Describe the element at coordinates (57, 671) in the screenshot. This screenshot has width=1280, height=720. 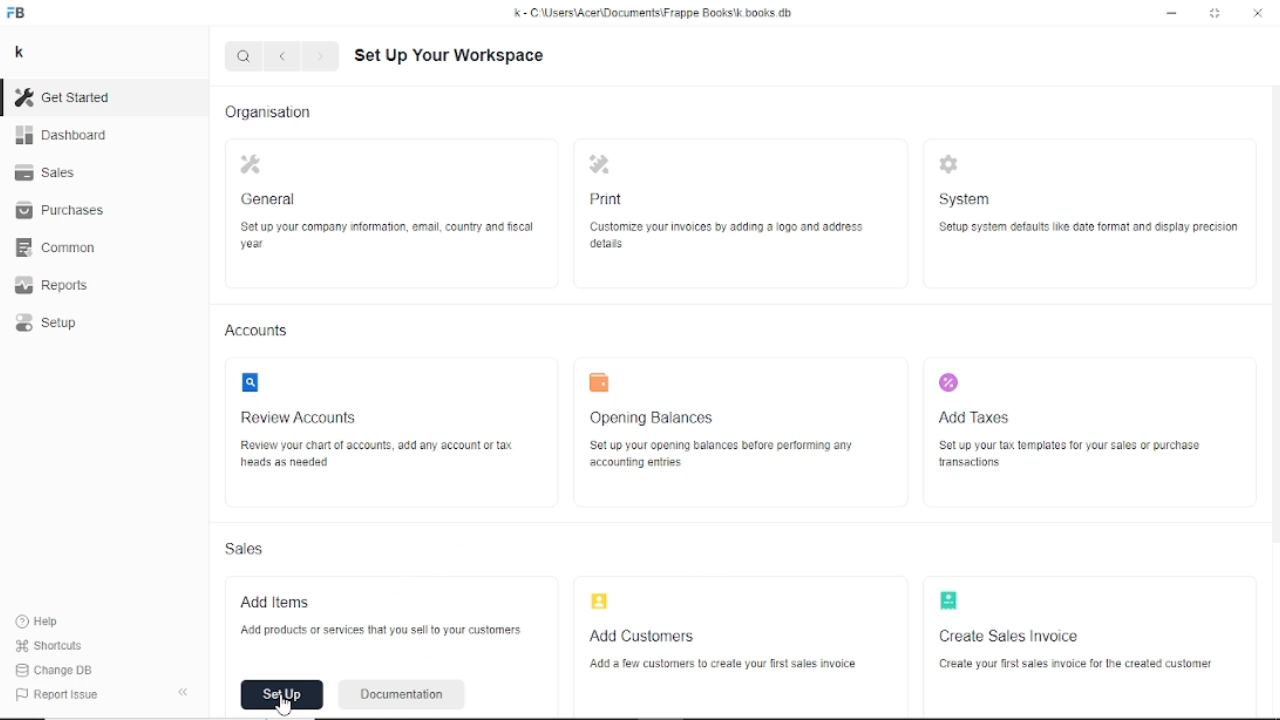
I see `Change DB` at that location.